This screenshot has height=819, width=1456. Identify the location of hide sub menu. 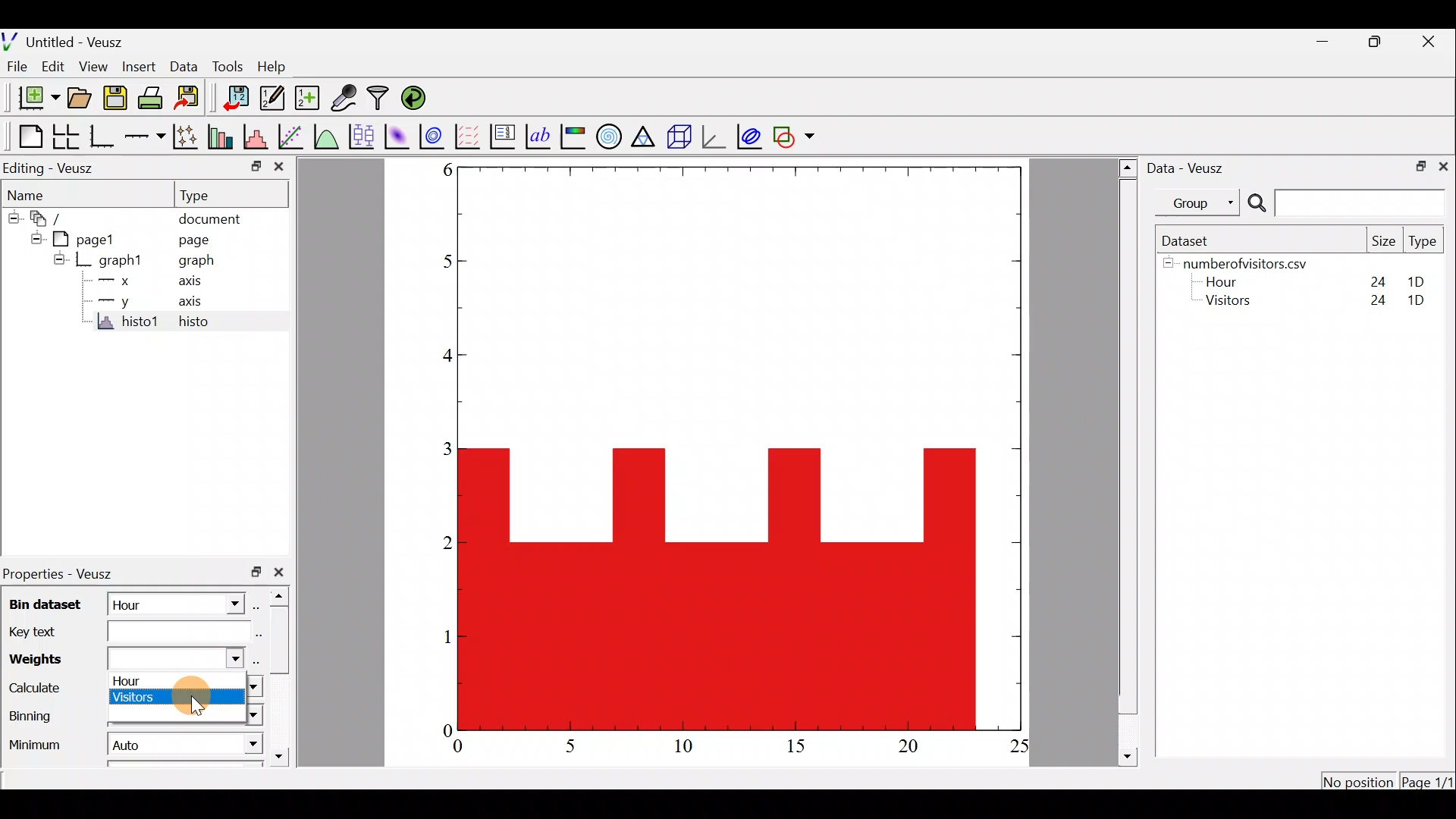
(11, 216).